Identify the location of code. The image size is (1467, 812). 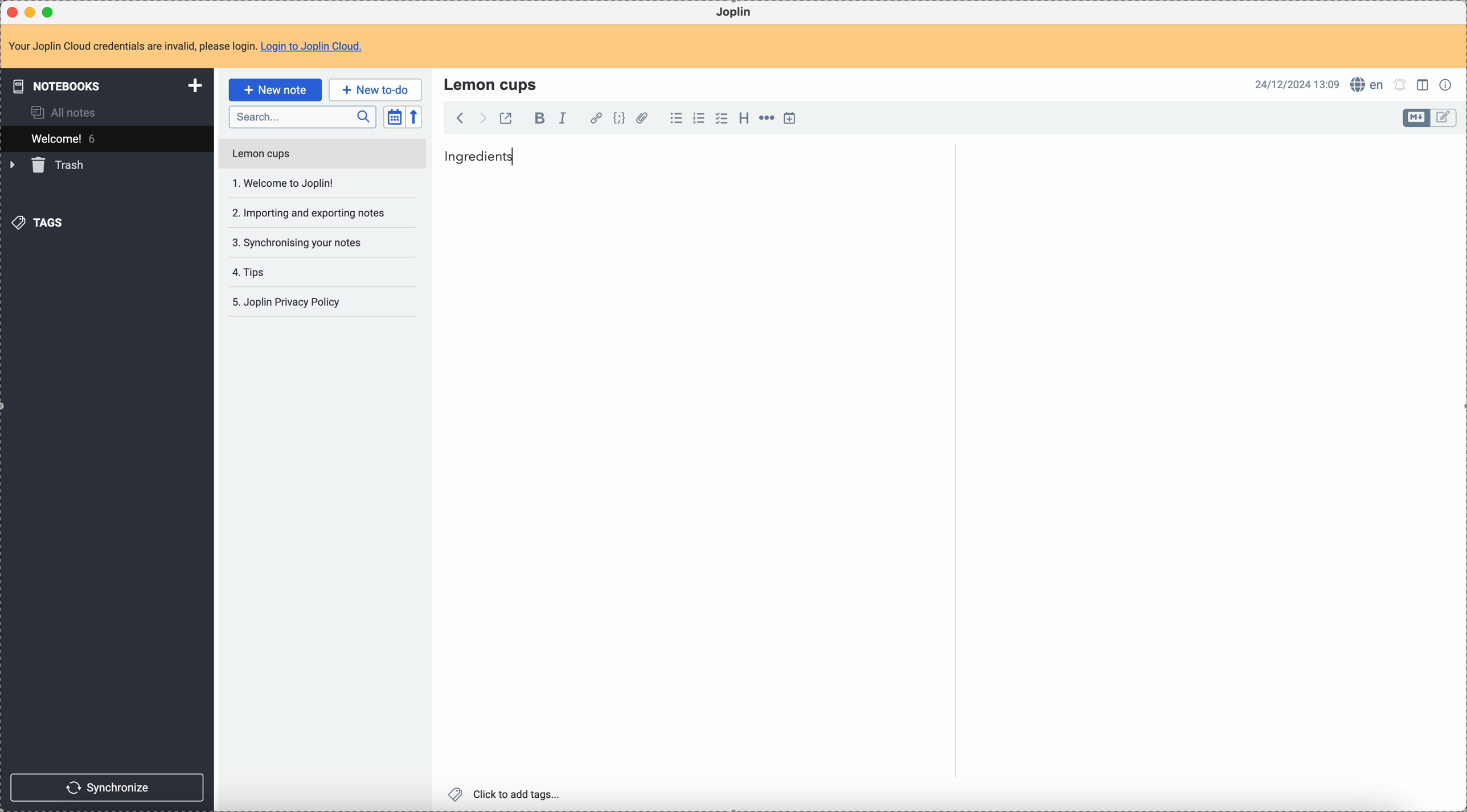
(619, 119).